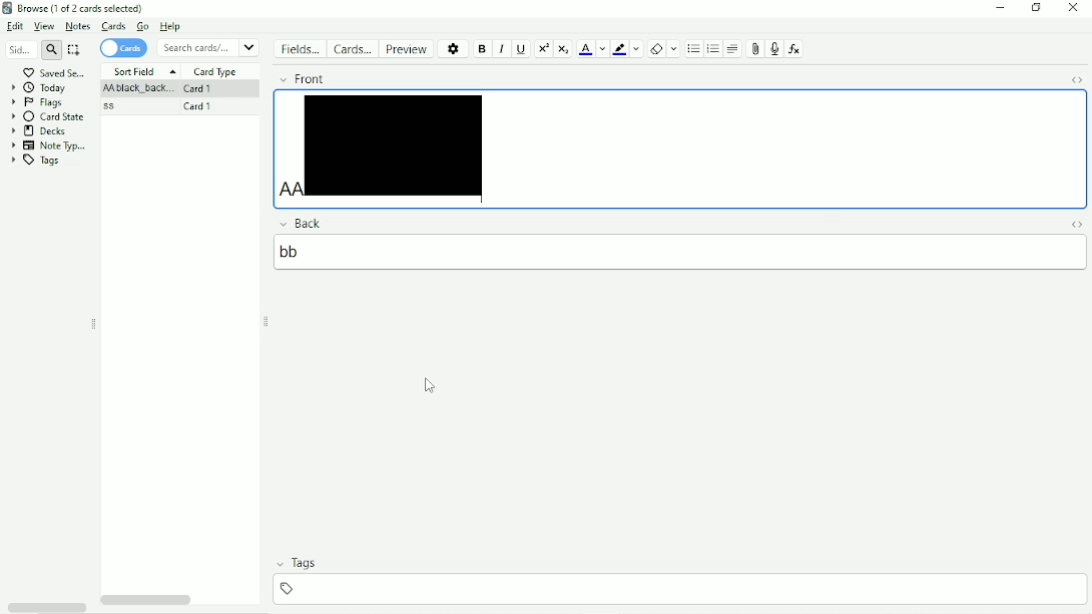  Describe the element at coordinates (123, 49) in the screenshot. I see `Cards` at that location.